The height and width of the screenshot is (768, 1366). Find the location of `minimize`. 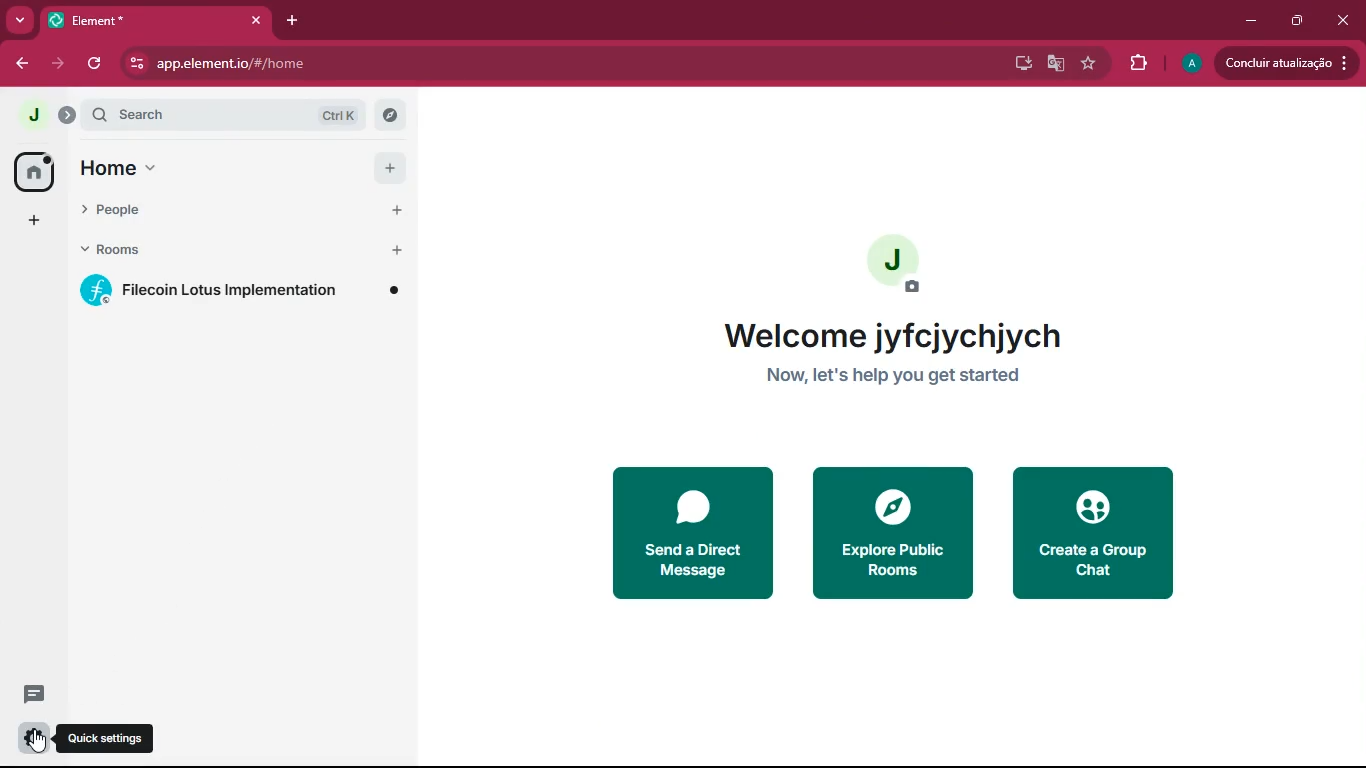

minimize is located at coordinates (1251, 21).